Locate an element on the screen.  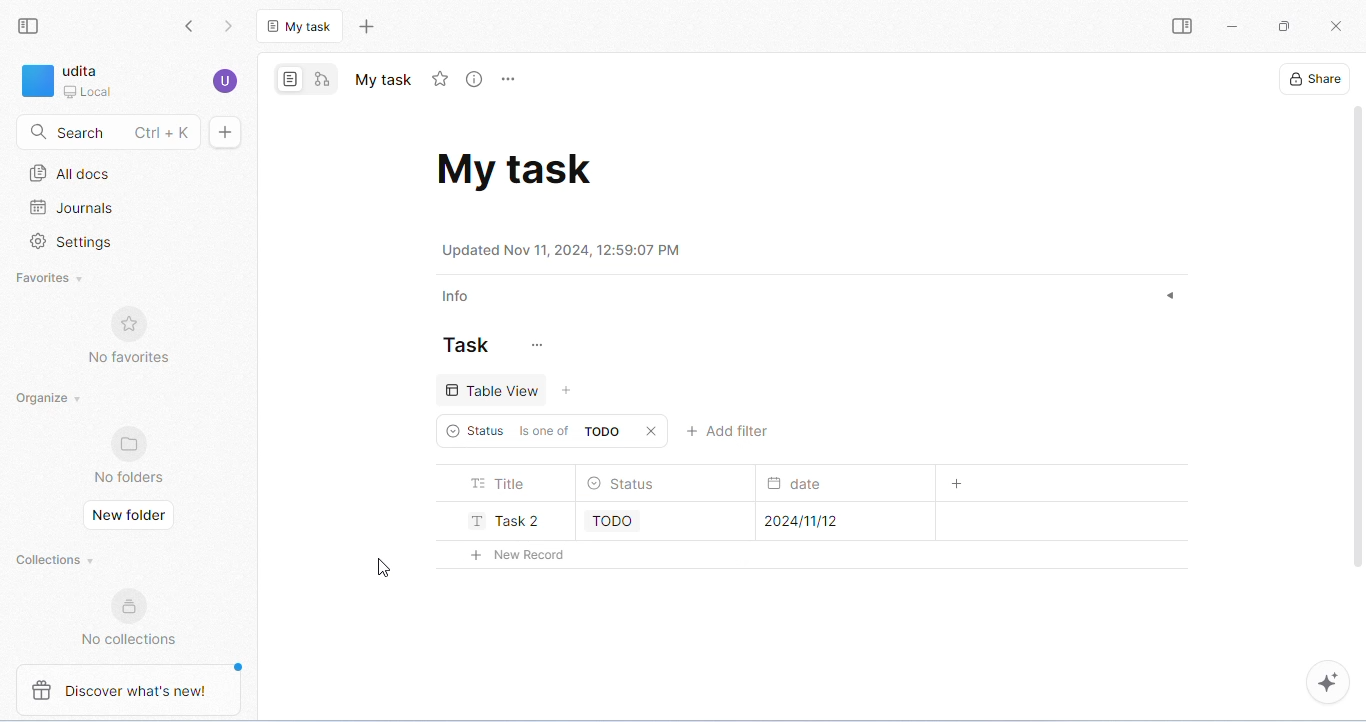
cursor is located at coordinates (380, 567).